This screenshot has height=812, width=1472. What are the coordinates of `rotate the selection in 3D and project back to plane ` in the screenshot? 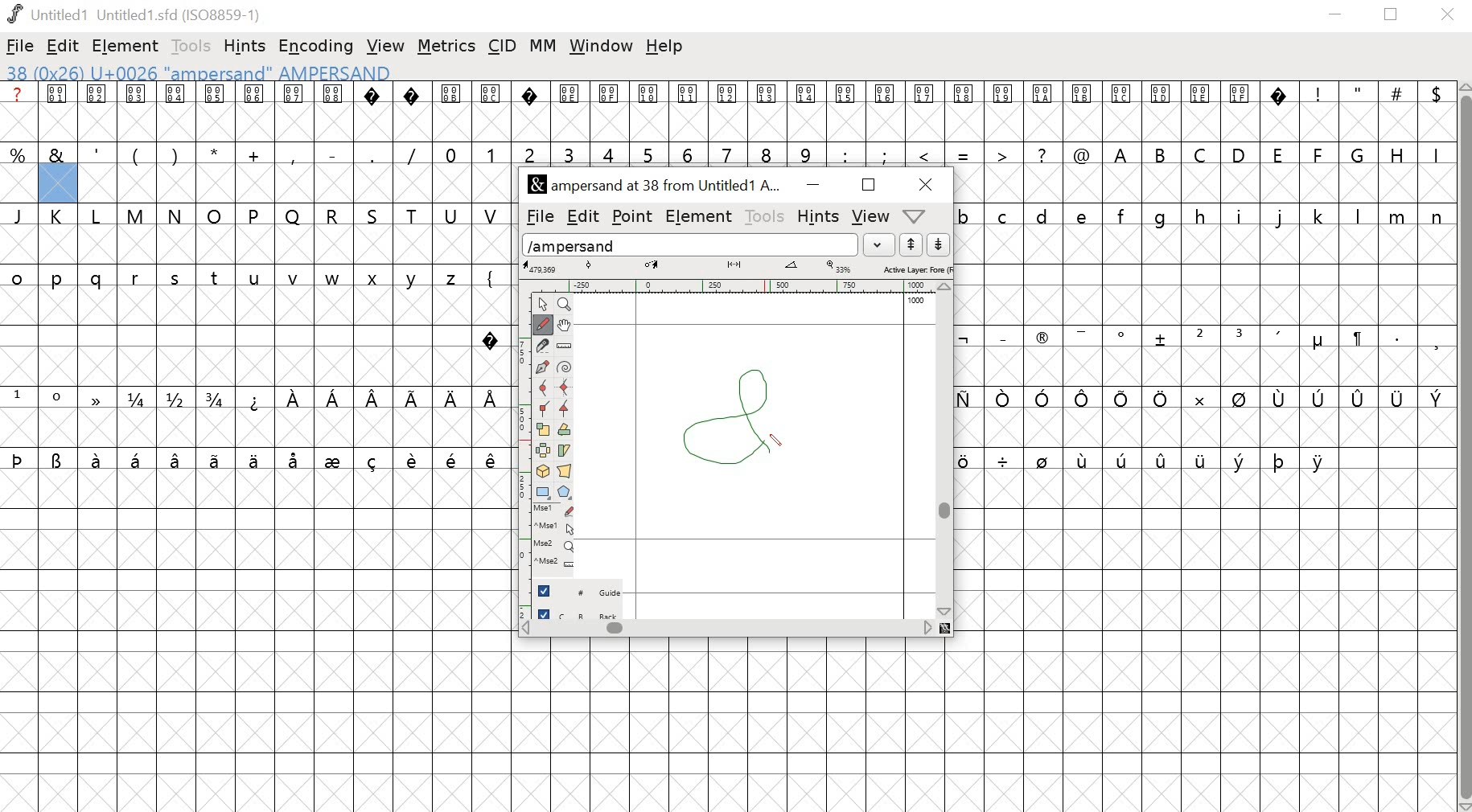 It's located at (544, 471).